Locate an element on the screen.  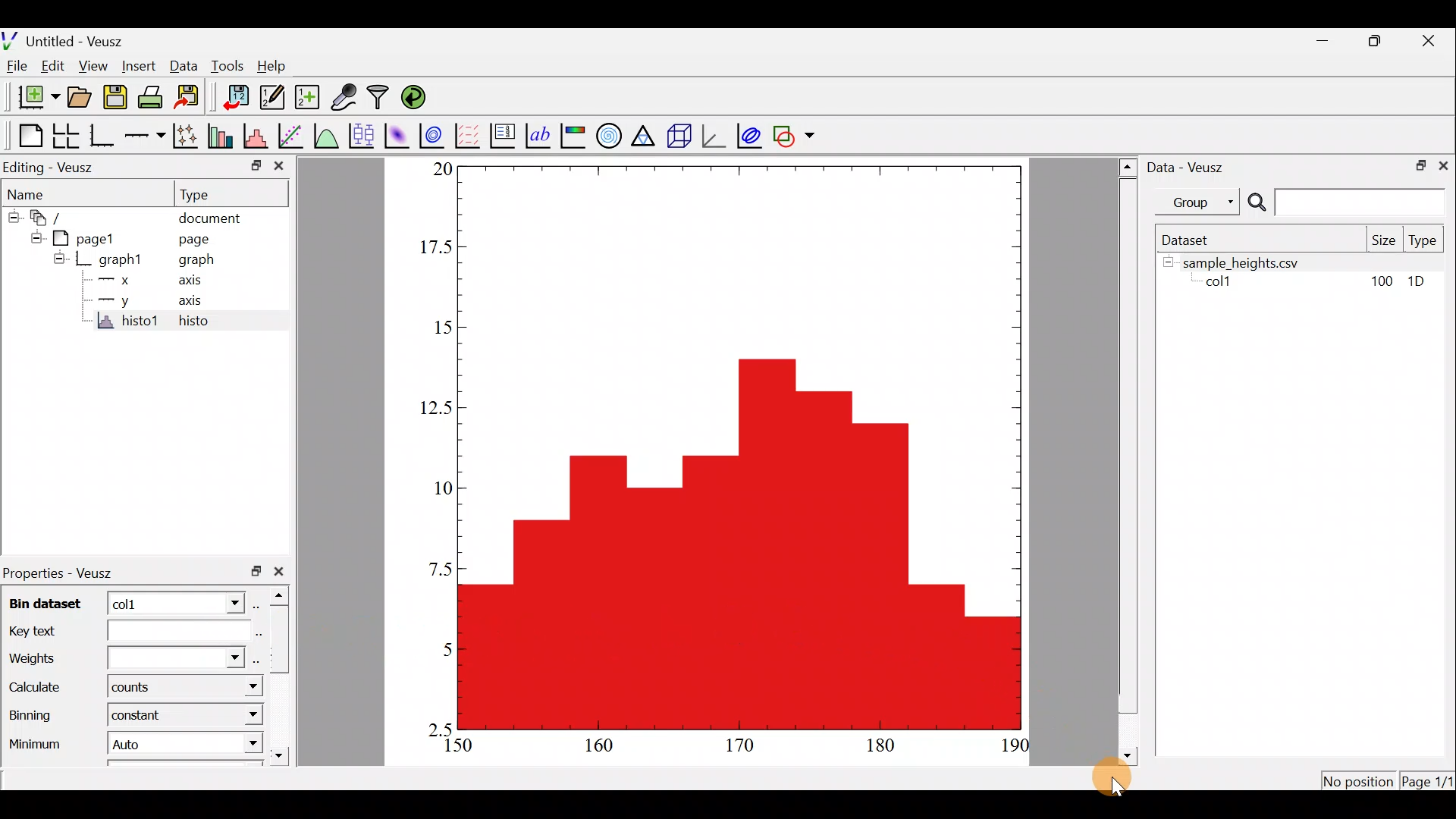
text label is located at coordinates (540, 136).